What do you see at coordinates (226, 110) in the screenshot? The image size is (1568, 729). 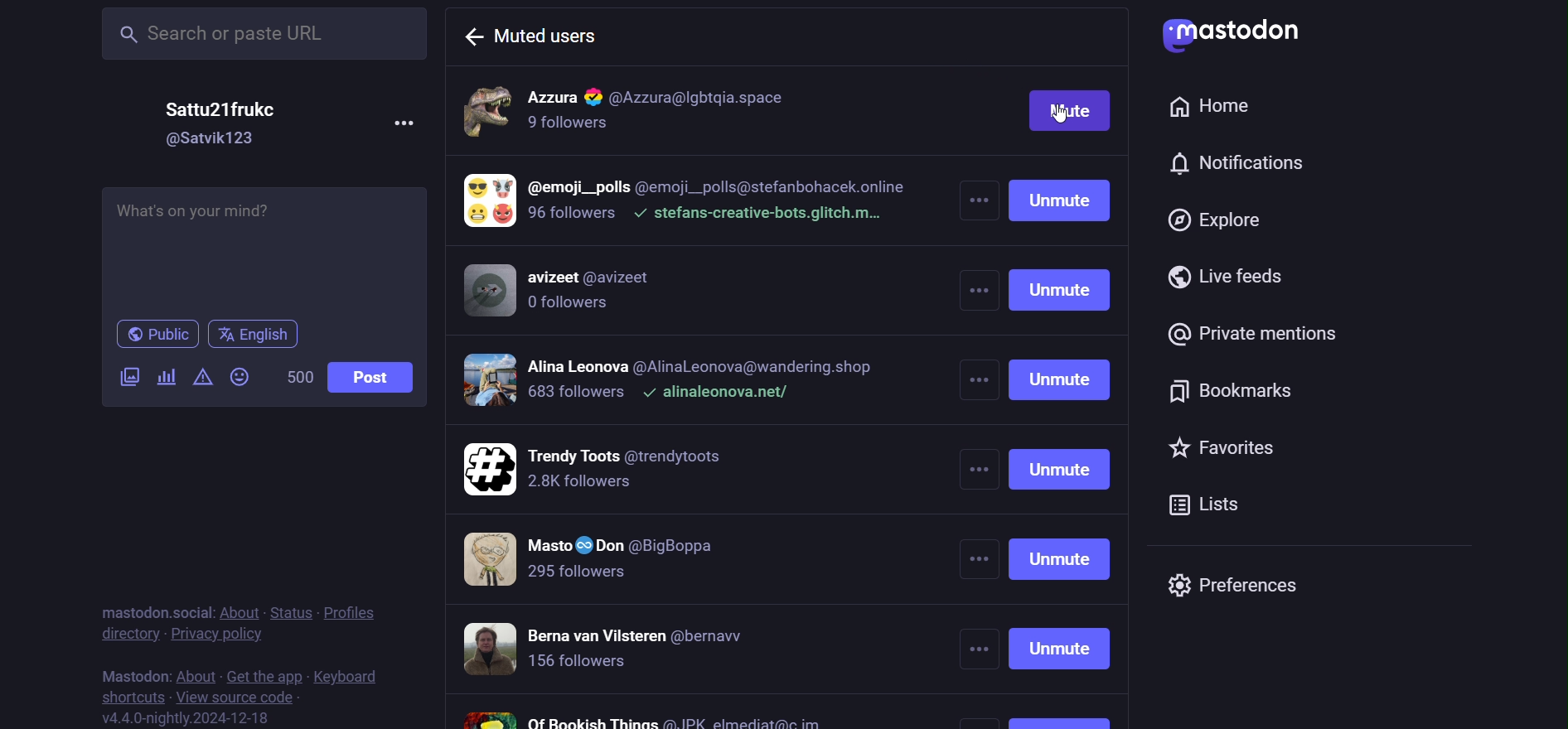 I see `name` at bounding box center [226, 110].